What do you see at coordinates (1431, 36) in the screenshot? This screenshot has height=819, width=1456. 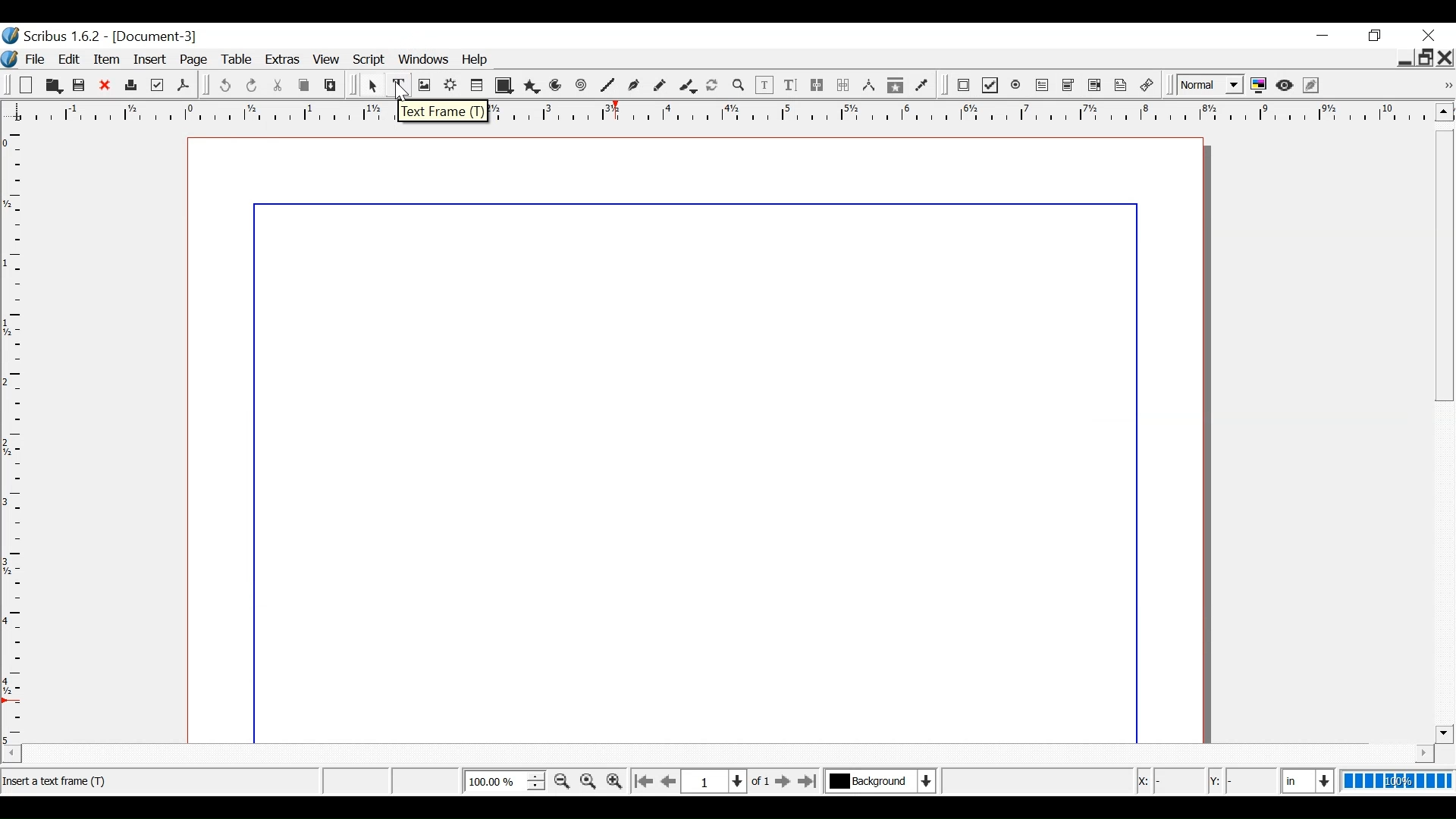 I see `Close` at bounding box center [1431, 36].